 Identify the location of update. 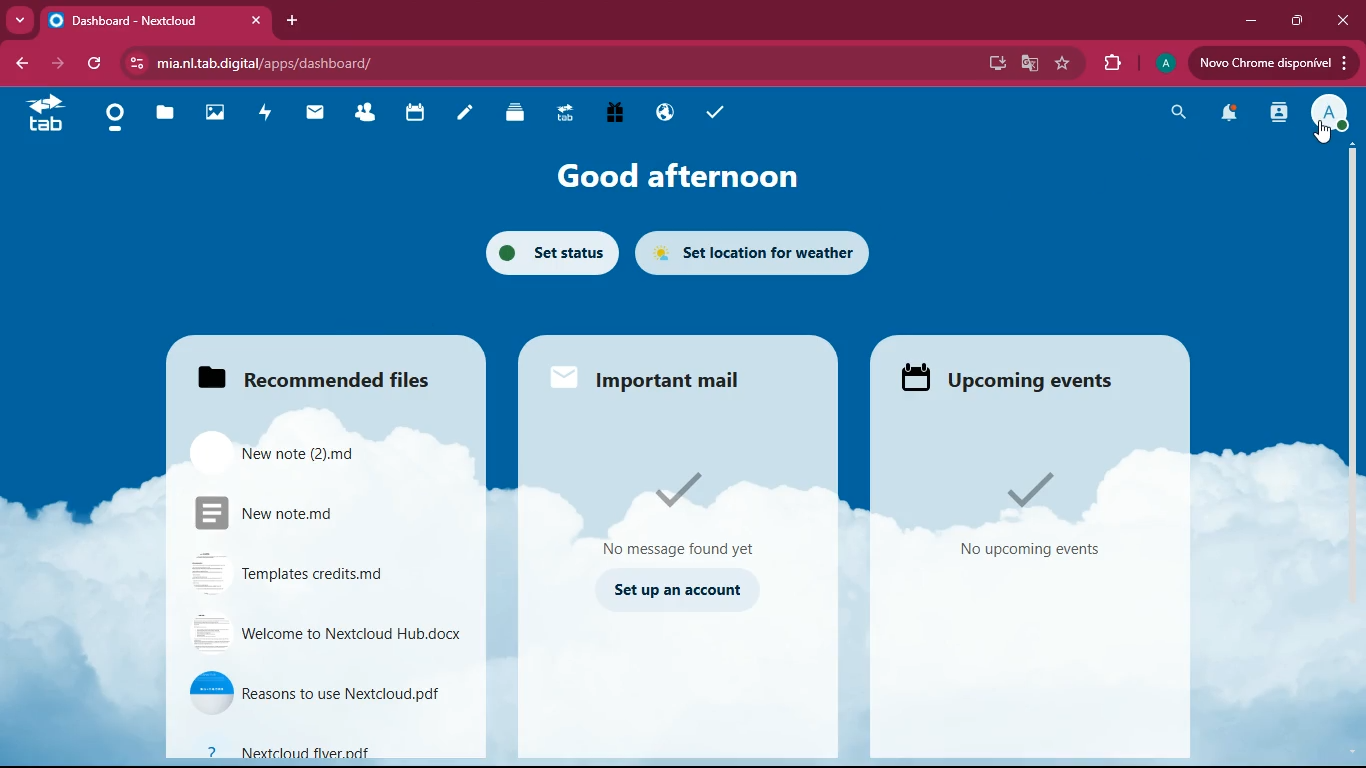
(1272, 64).